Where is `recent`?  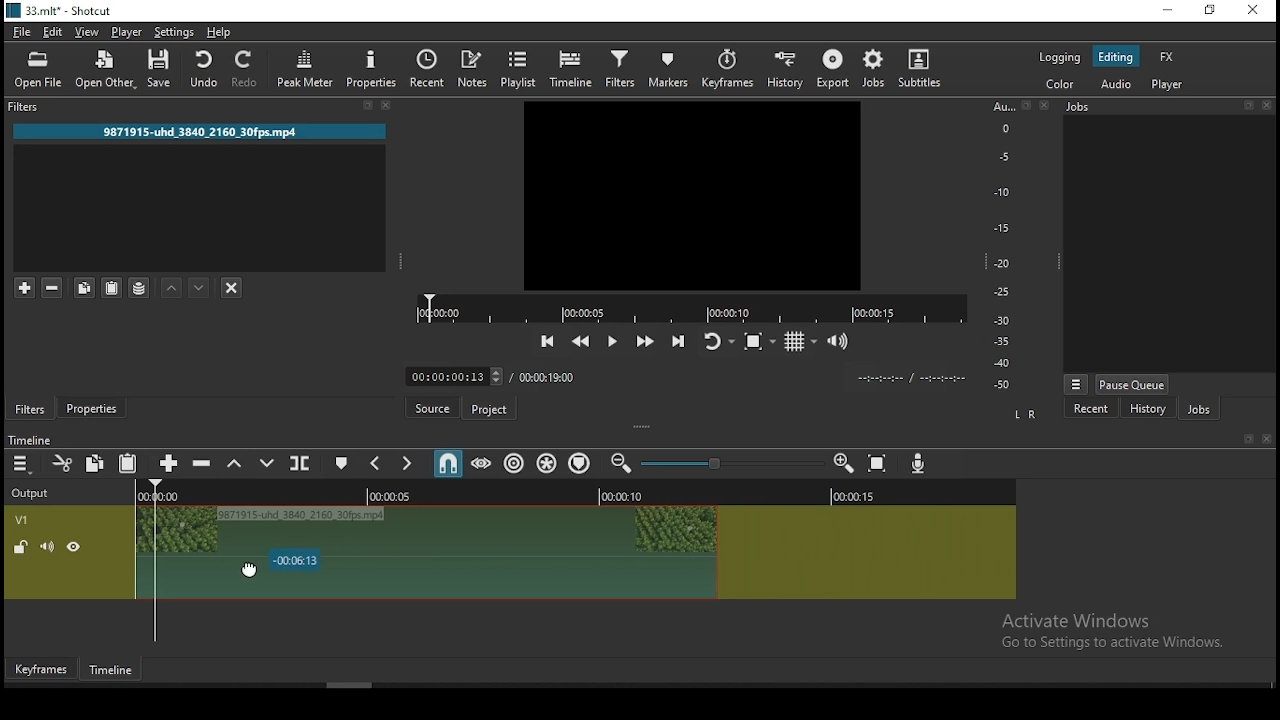 recent is located at coordinates (1096, 408).